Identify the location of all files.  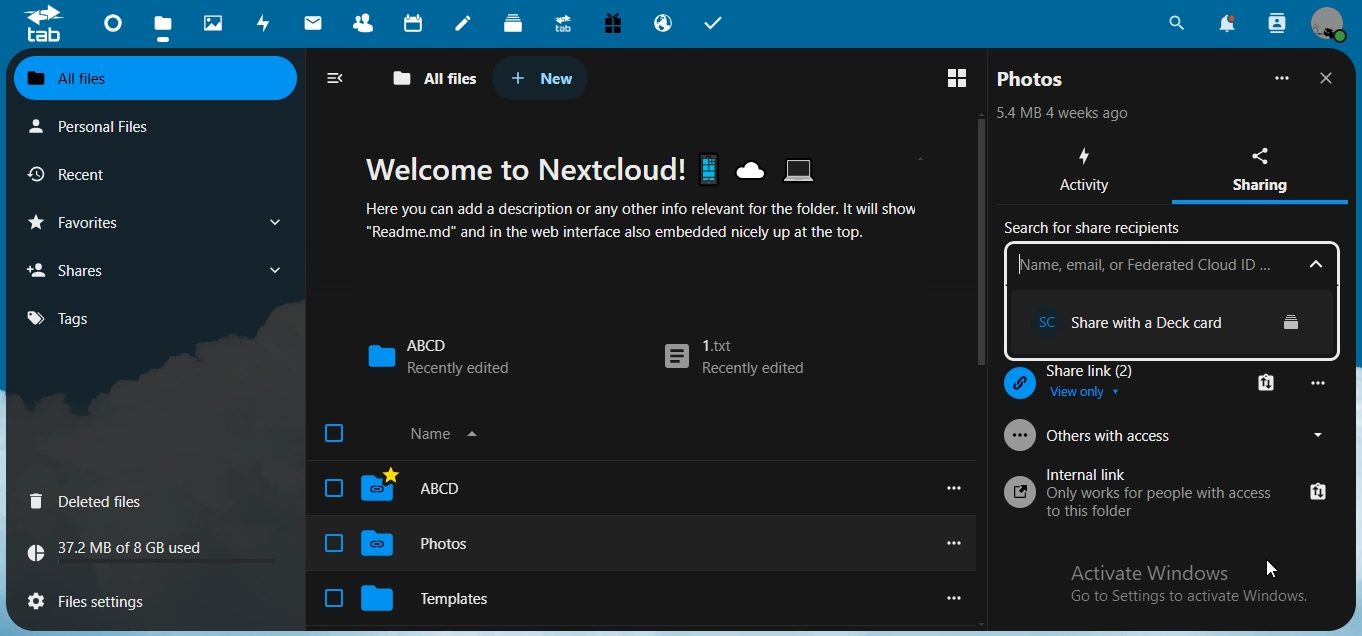
(436, 79).